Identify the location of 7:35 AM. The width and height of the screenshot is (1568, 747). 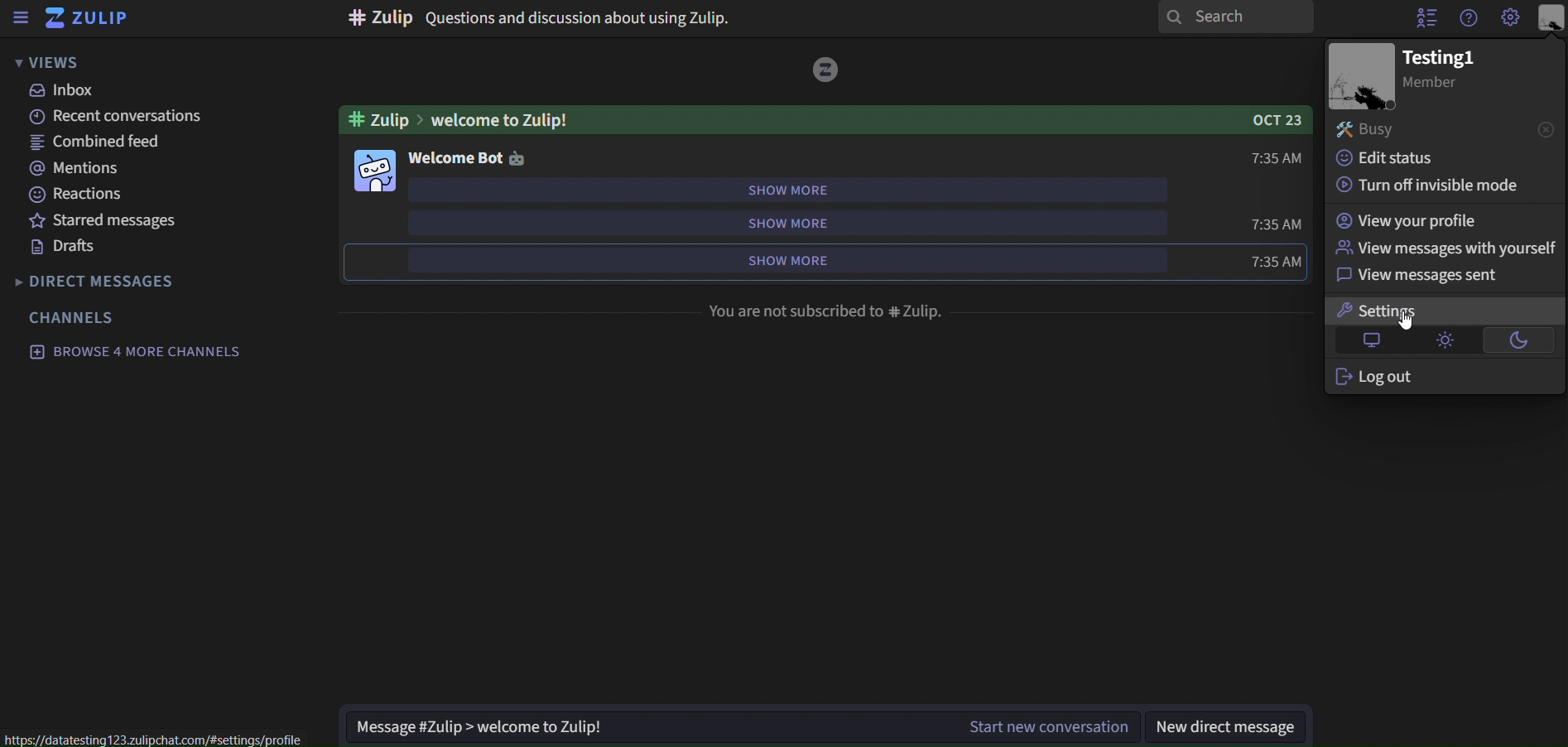
(1267, 263).